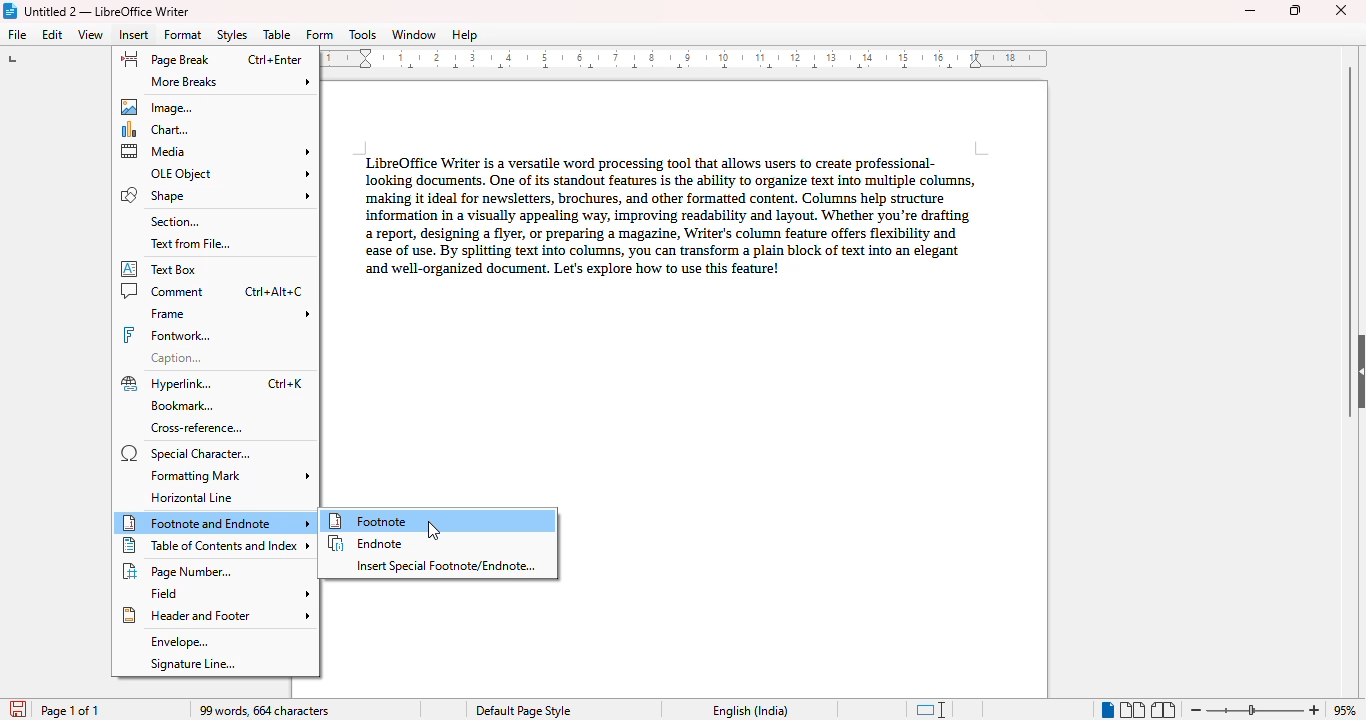 The width and height of the screenshot is (1366, 720). What do you see at coordinates (277, 34) in the screenshot?
I see `table` at bounding box center [277, 34].